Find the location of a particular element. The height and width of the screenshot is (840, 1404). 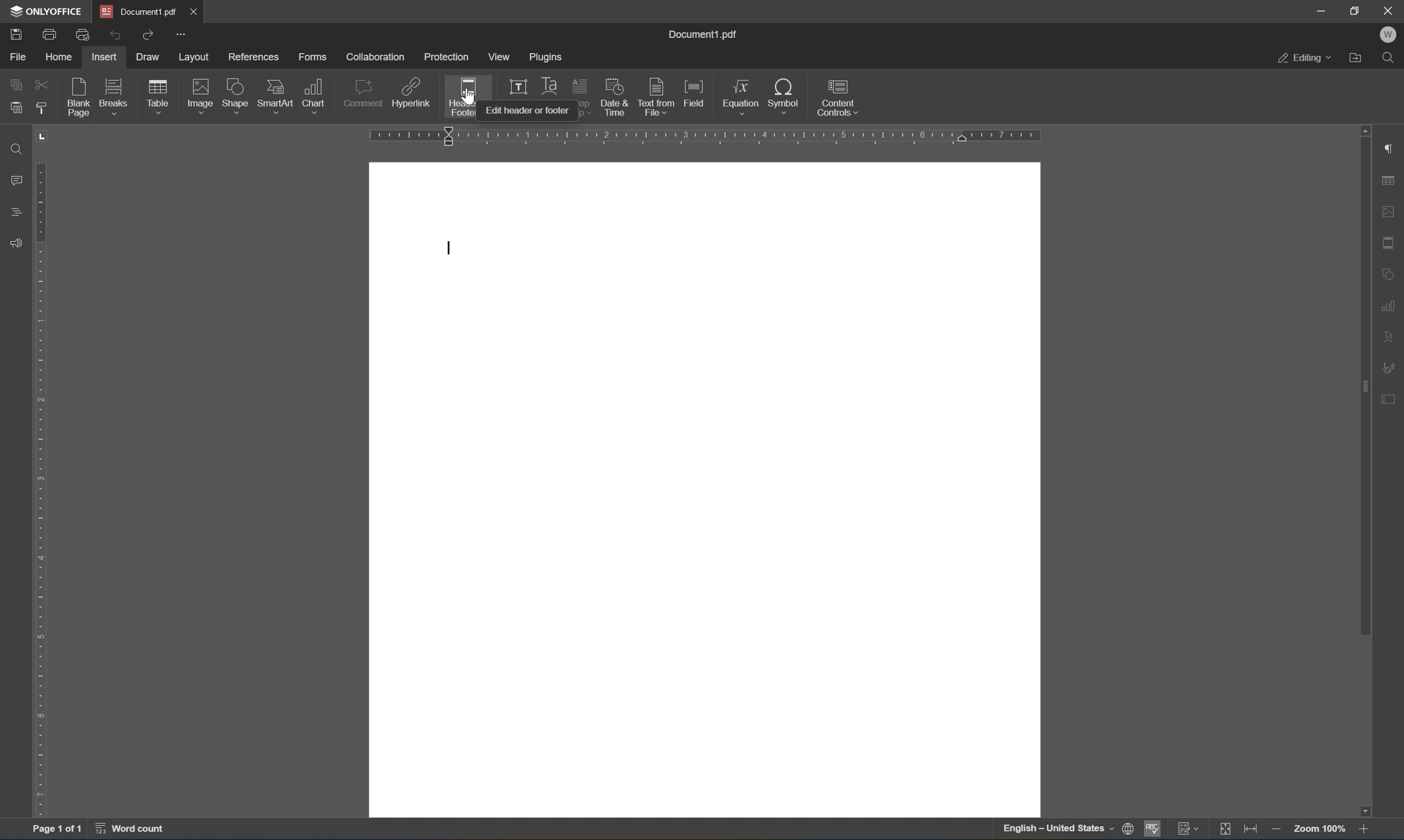

image is located at coordinates (199, 96).